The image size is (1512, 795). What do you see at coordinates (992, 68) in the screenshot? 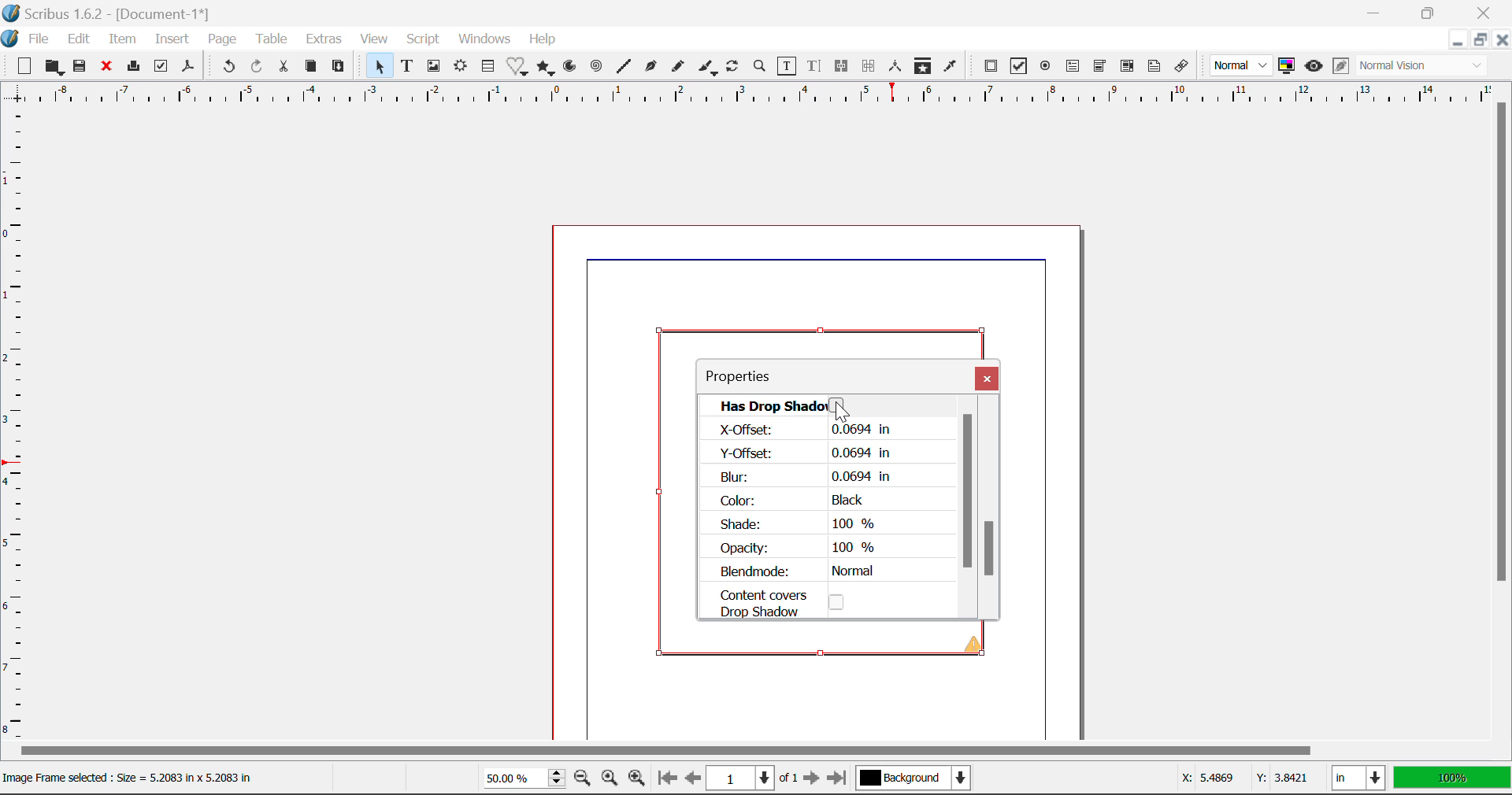
I see `Pdf Push Button` at bounding box center [992, 68].